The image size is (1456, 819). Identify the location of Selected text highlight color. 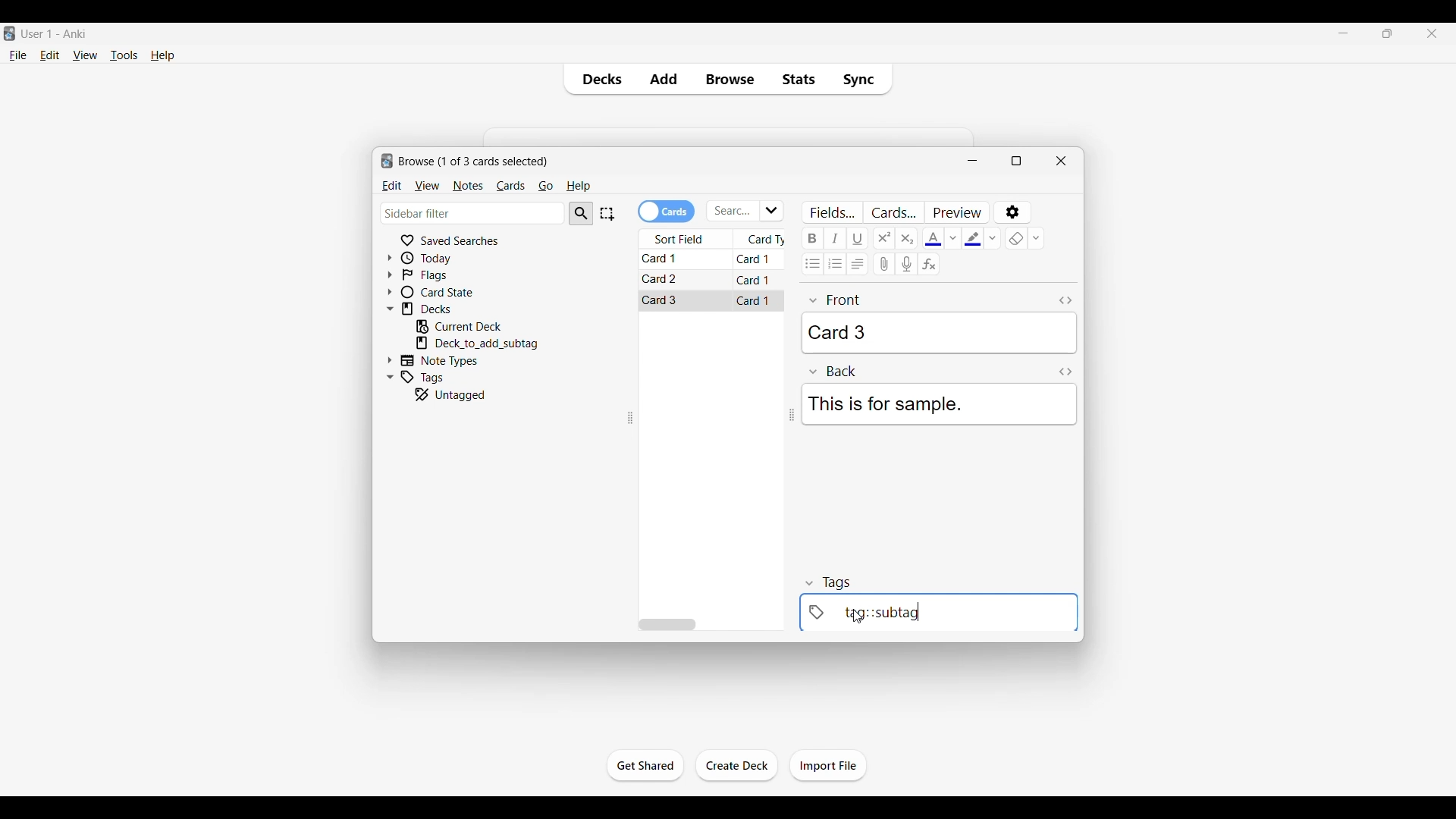
(973, 238).